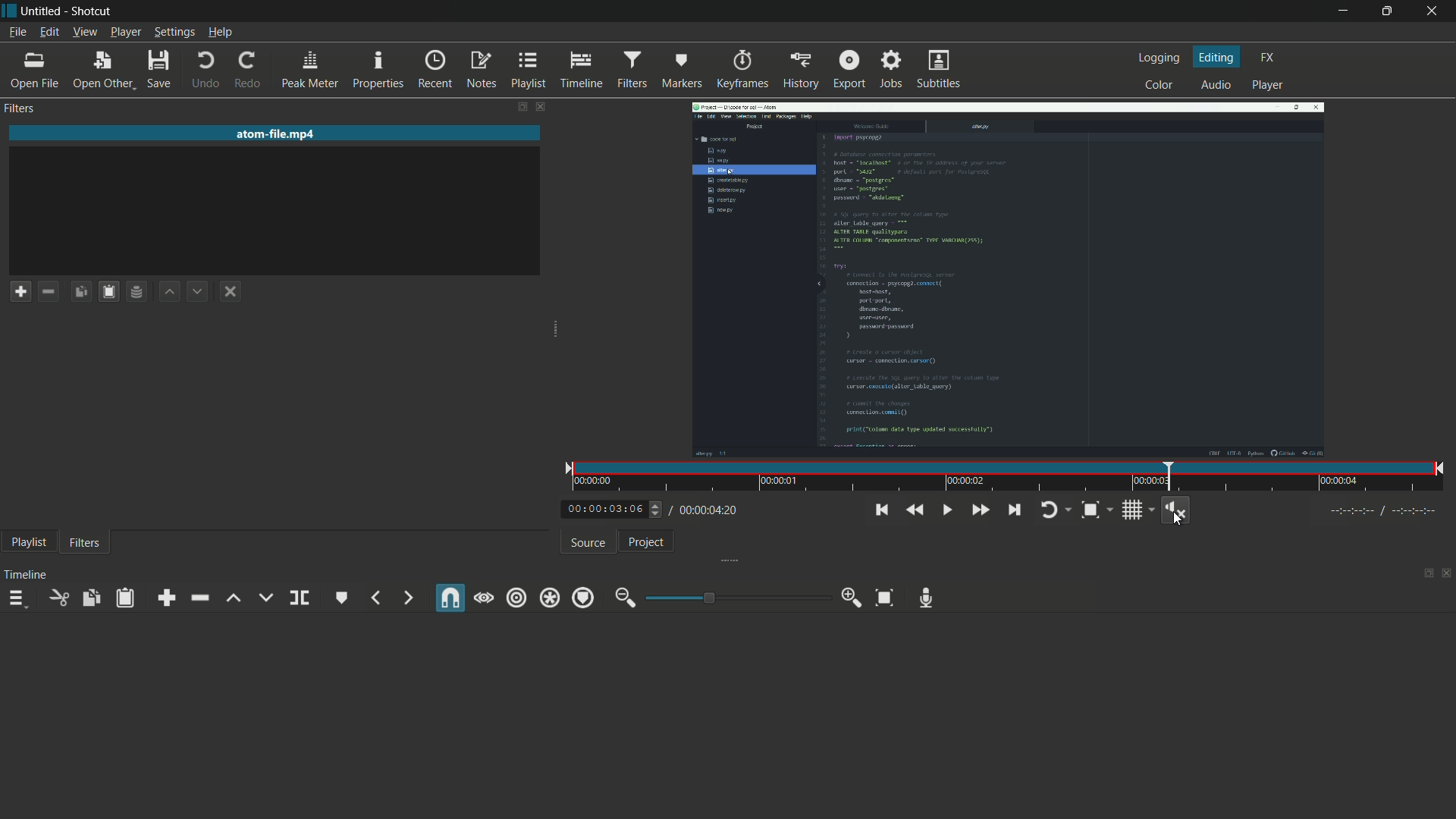  What do you see at coordinates (581, 598) in the screenshot?
I see `ripple marker` at bounding box center [581, 598].